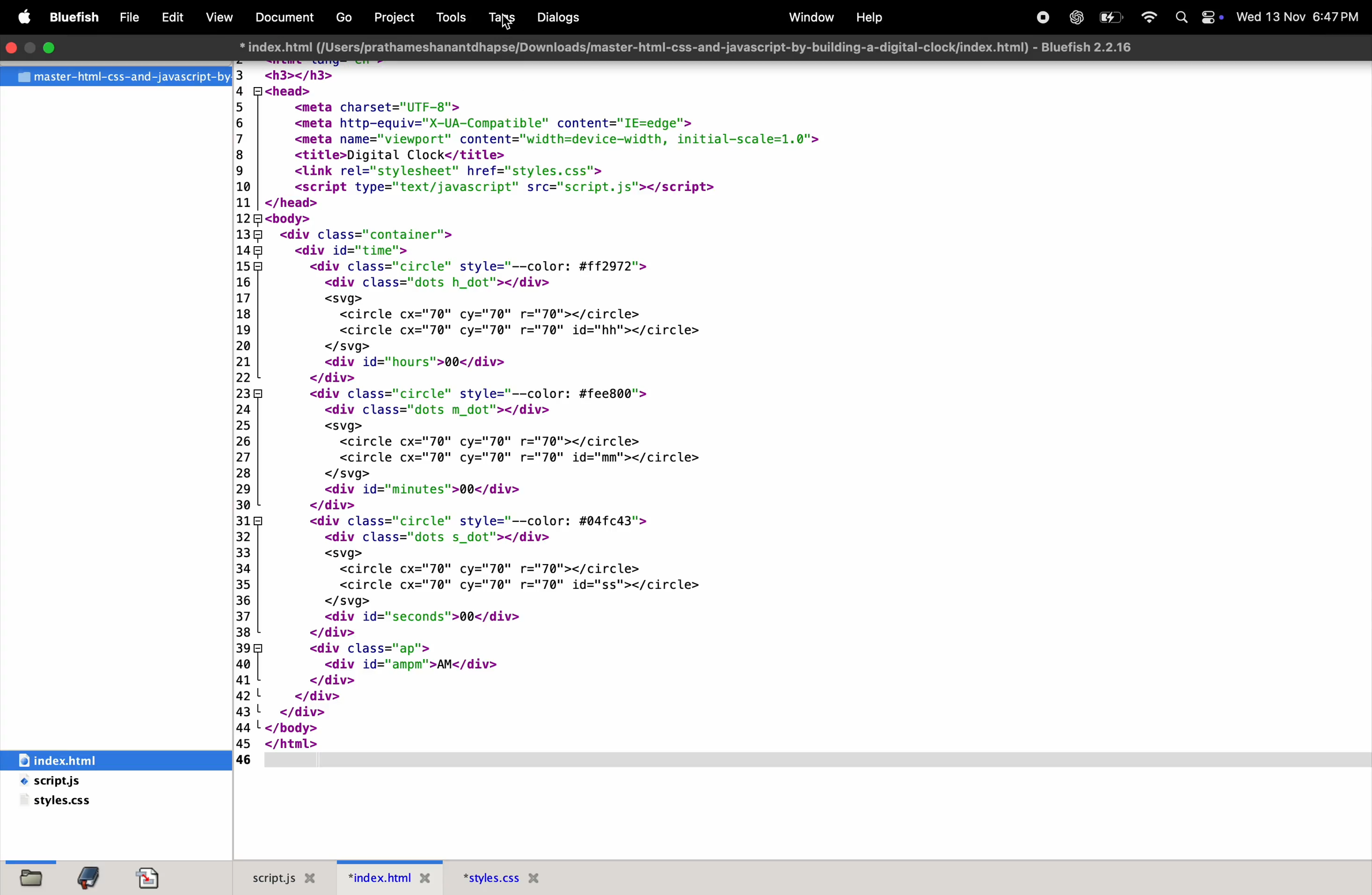 This screenshot has width=1372, height=895. What do you see at coordinates (89, 759) in the screenshot?
I see `index.html` at bounding box center [89, 759].